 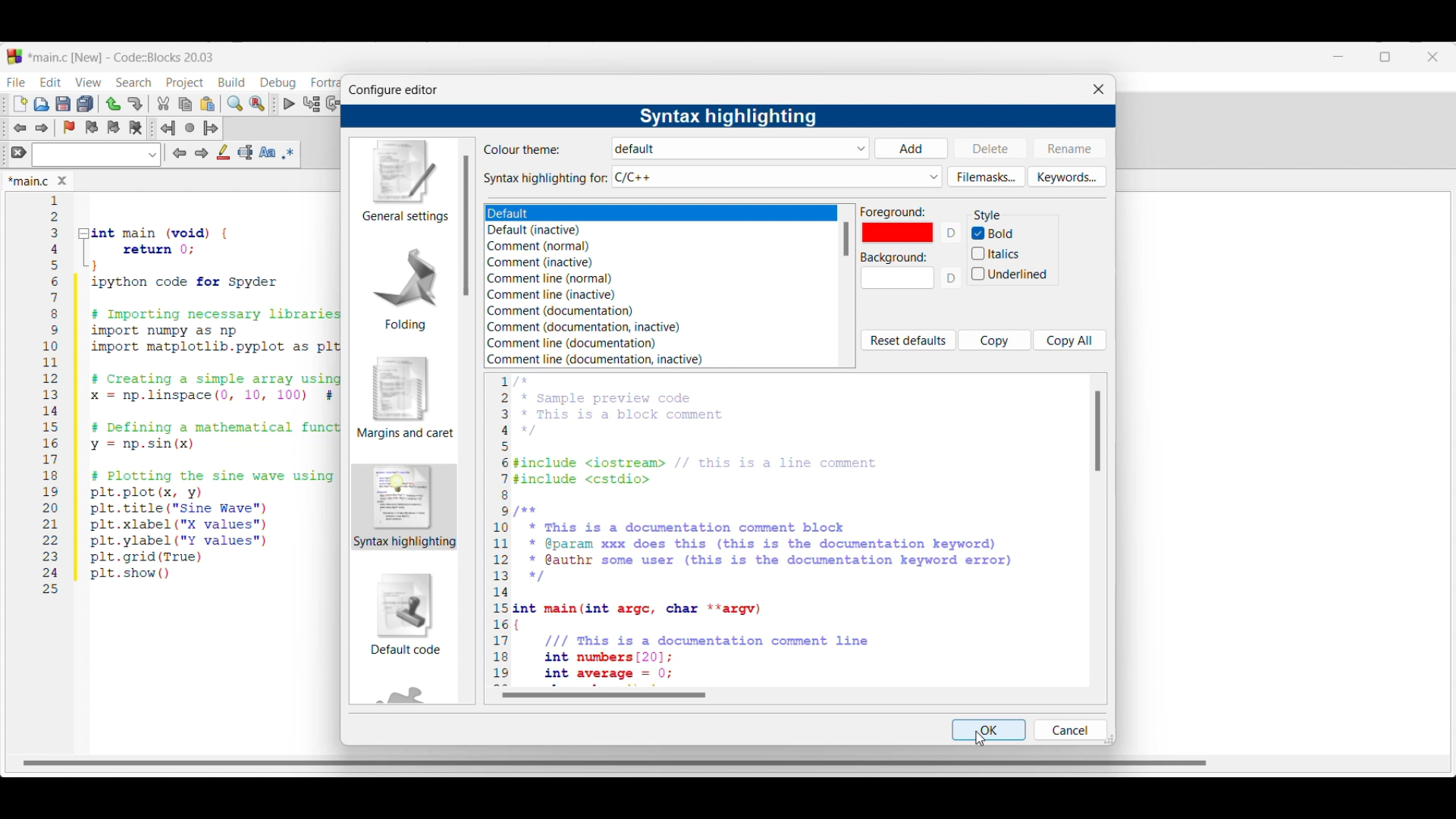 What do you see at coordinates (62, 180) in the screenshot?
I see `Close tab` at bounding box center [62, 180].